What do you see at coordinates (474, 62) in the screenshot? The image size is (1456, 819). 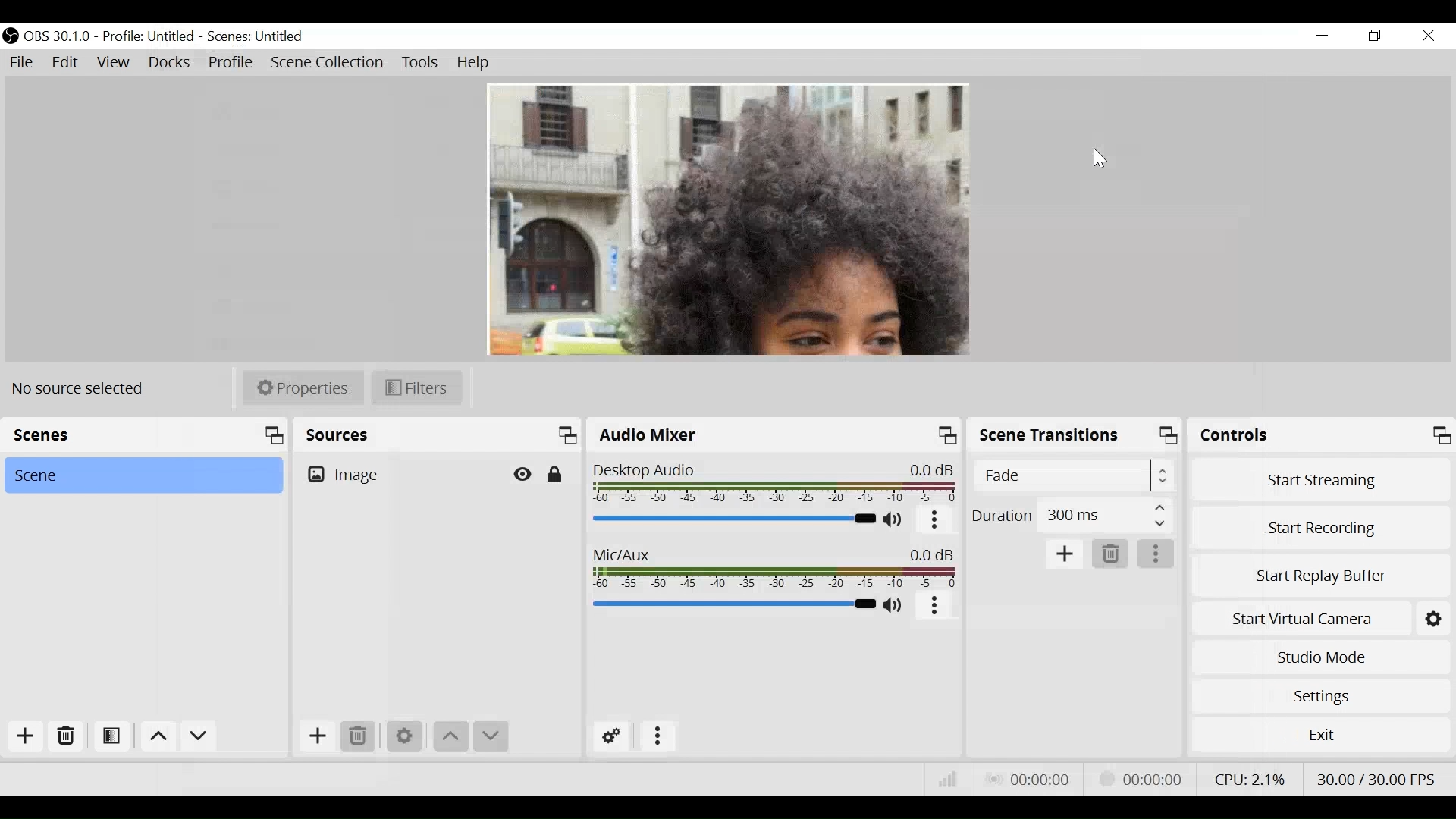 I see `Help` at bounding box center [474, 62].